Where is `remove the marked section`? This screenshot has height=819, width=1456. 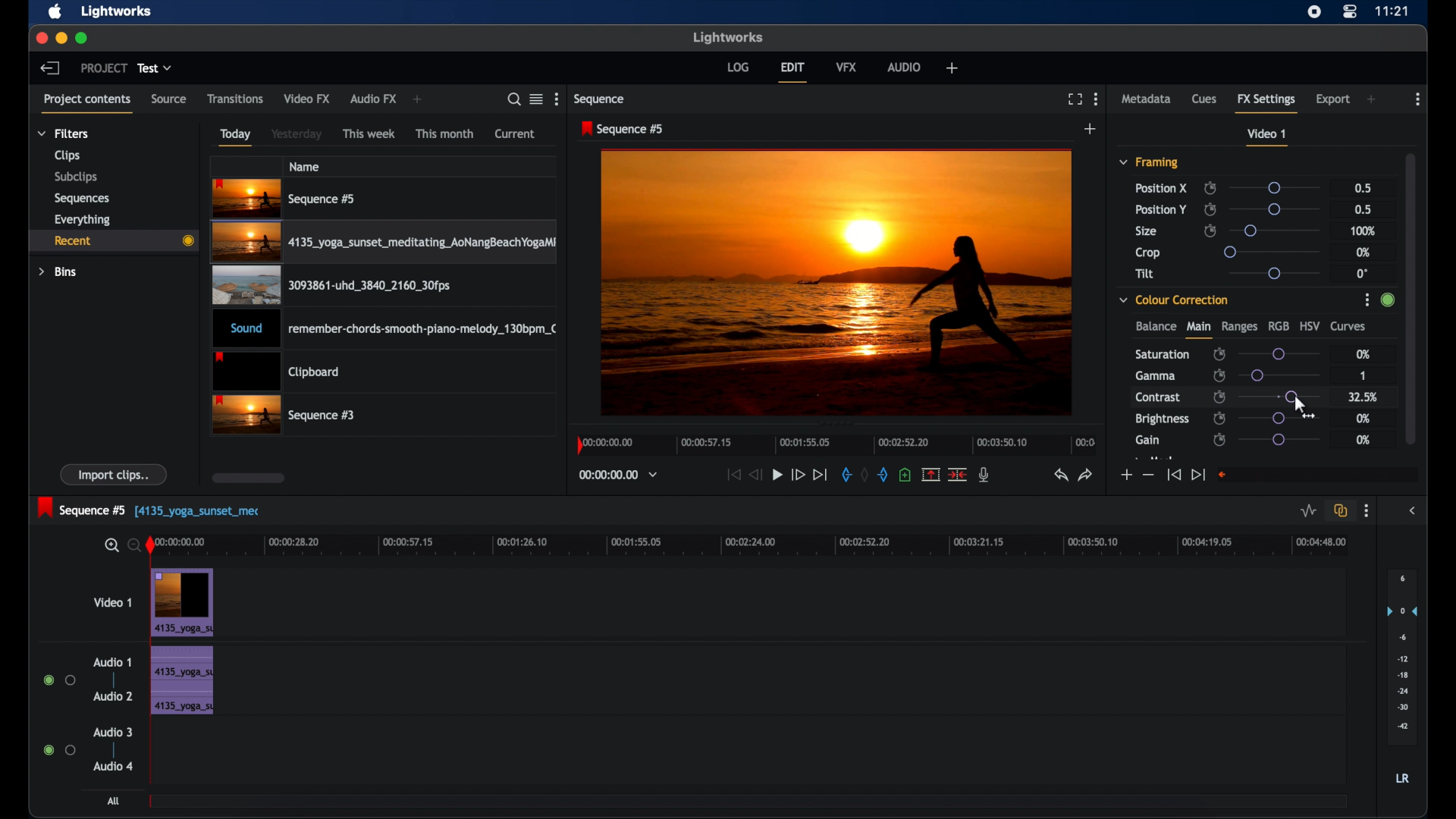 remove the marked section is located at coordinates (930, 475).